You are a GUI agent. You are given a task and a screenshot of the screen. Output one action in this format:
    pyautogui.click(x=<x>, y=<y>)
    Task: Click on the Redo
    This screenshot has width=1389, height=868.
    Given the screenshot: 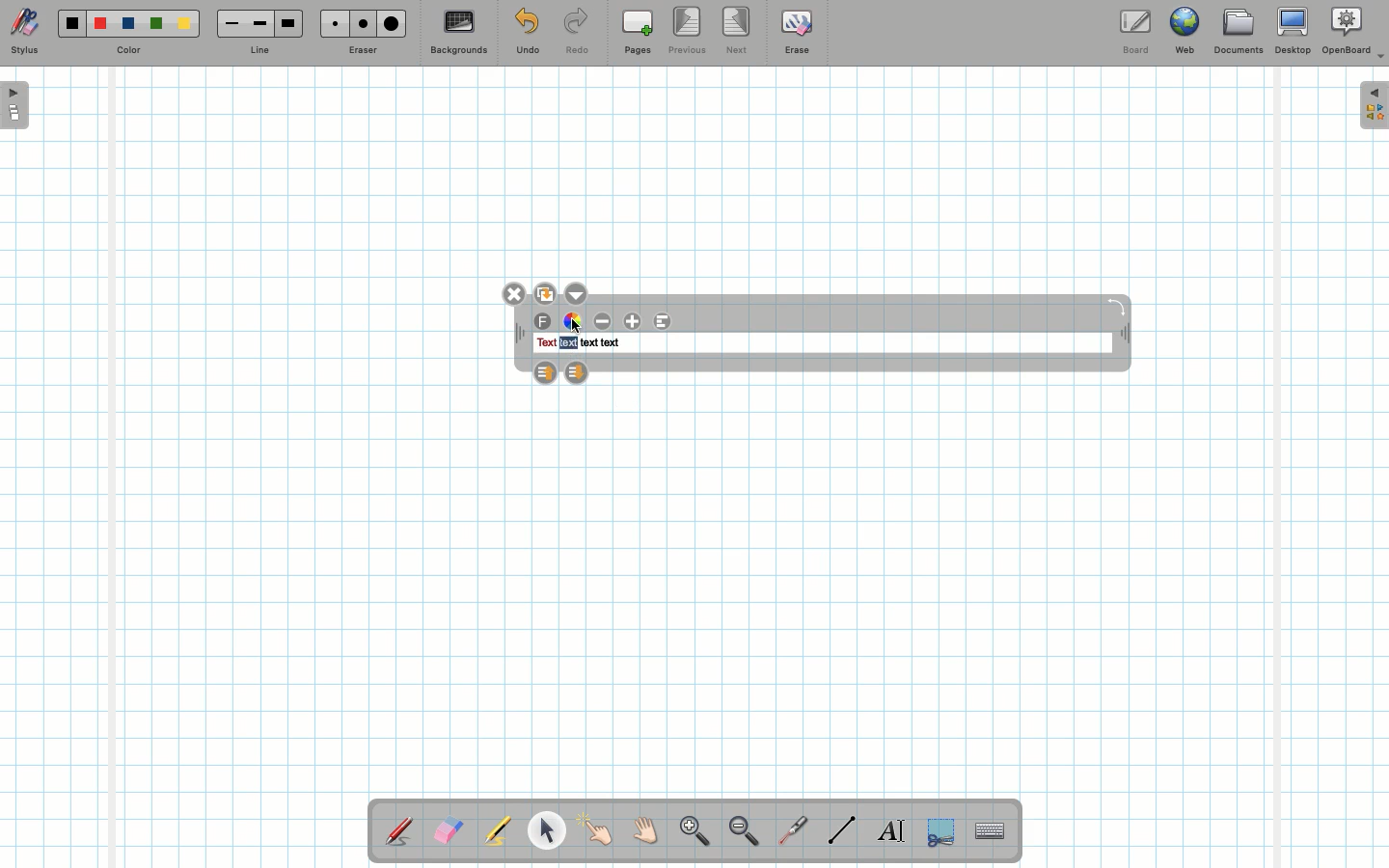 What is the action you would take?
    pyautogui.click(x=577, y=35)
    